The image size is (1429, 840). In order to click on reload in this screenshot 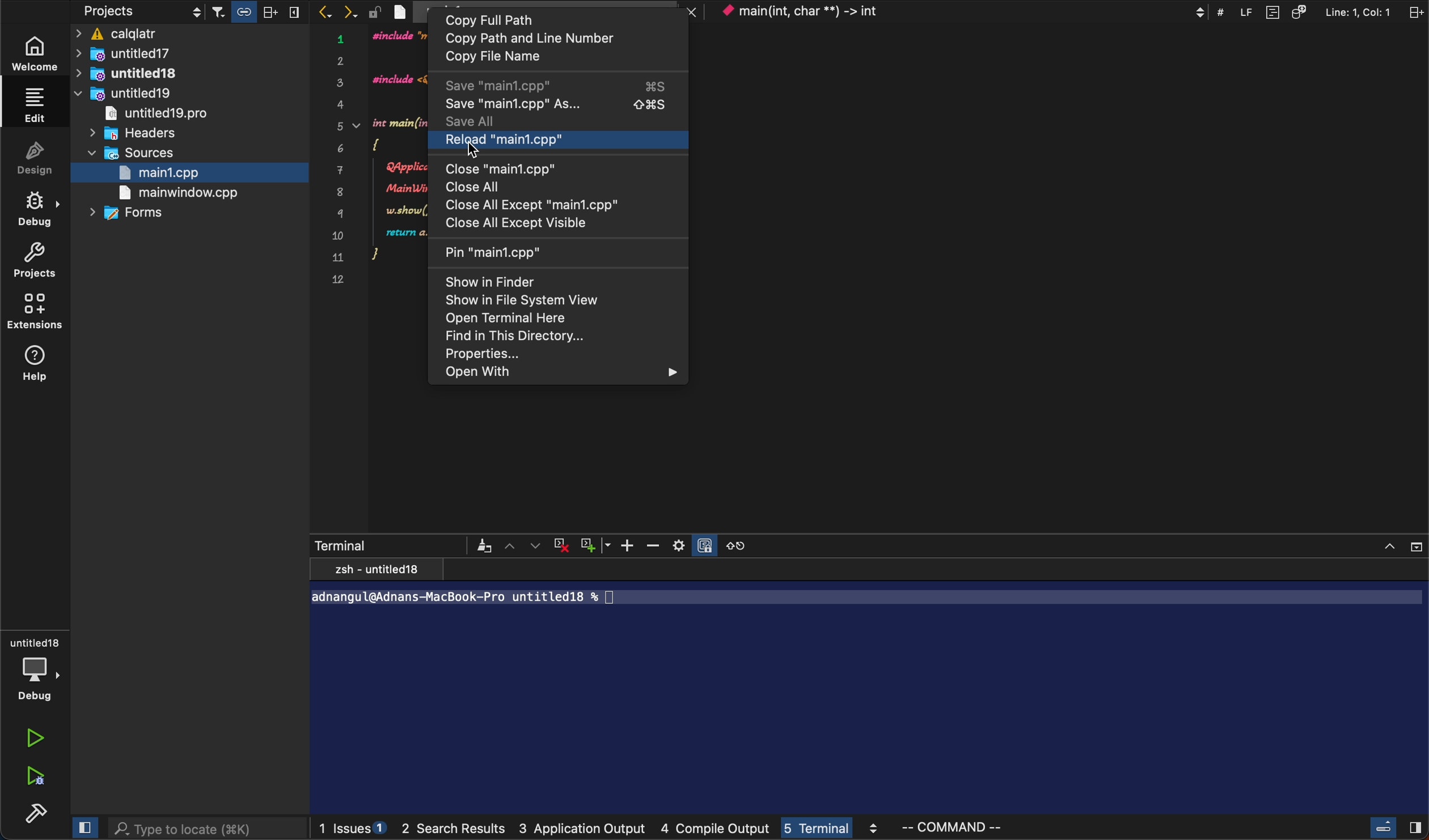, I will do `click(526, 141)`.